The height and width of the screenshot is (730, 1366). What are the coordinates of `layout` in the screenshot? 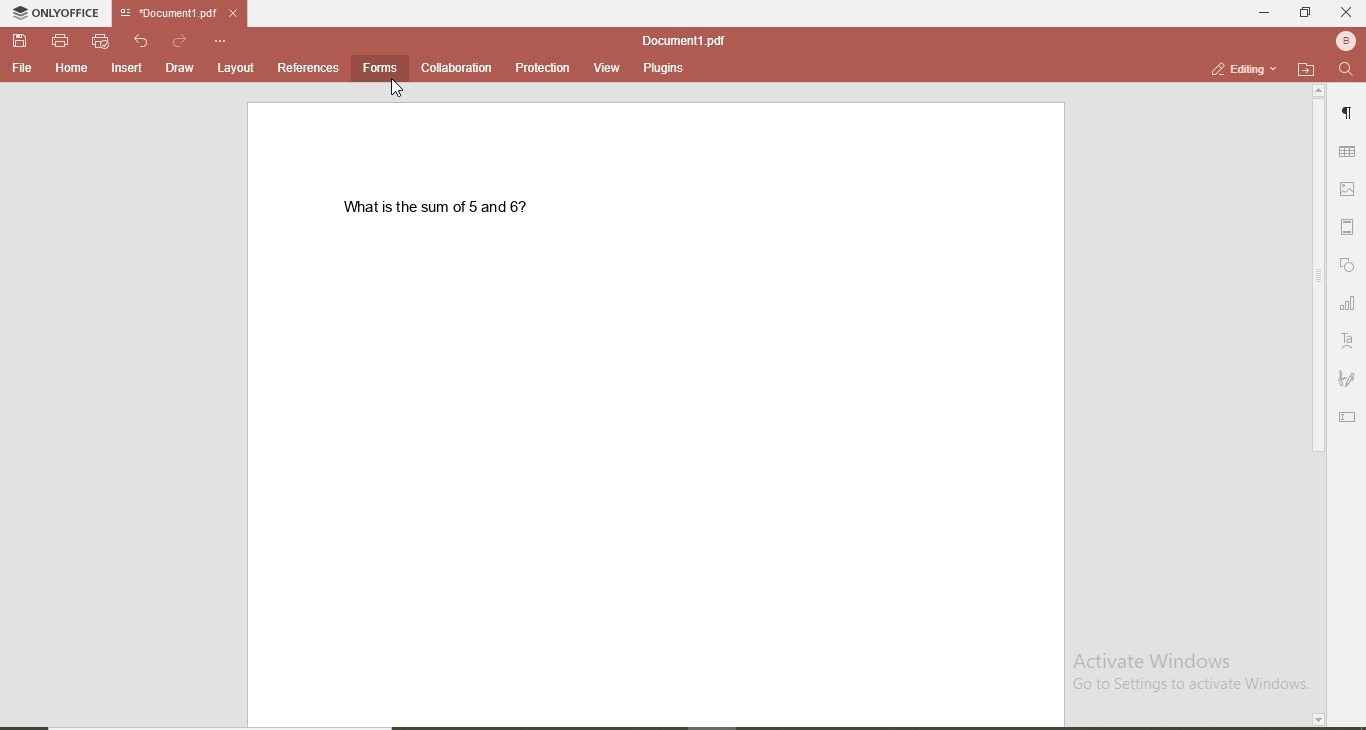 It's located at (240, 70).